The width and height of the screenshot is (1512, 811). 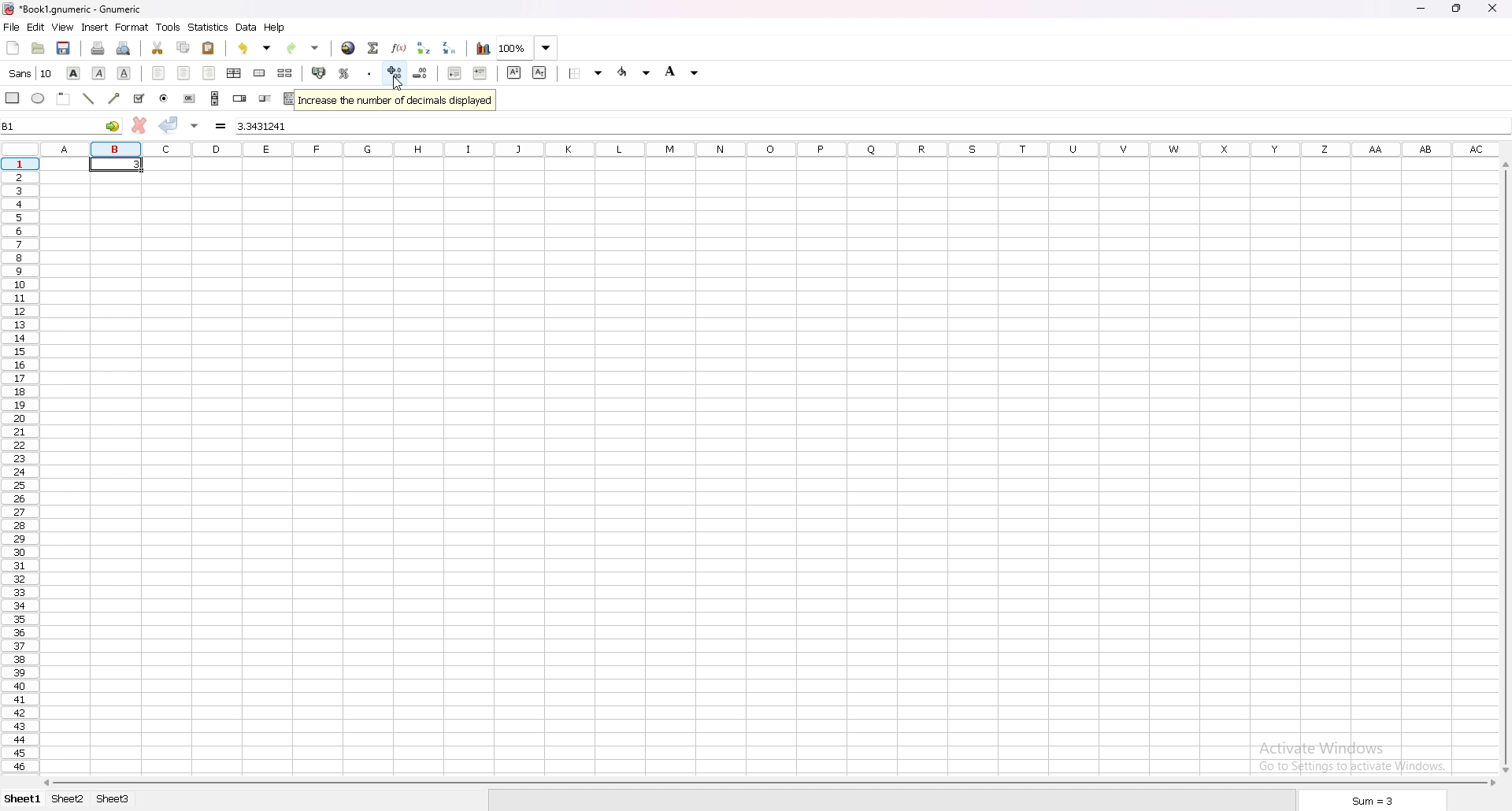 What do you see at coordinates (165, 98) in the screenshot?
I see `radio button` at bounding box center [165, 98].